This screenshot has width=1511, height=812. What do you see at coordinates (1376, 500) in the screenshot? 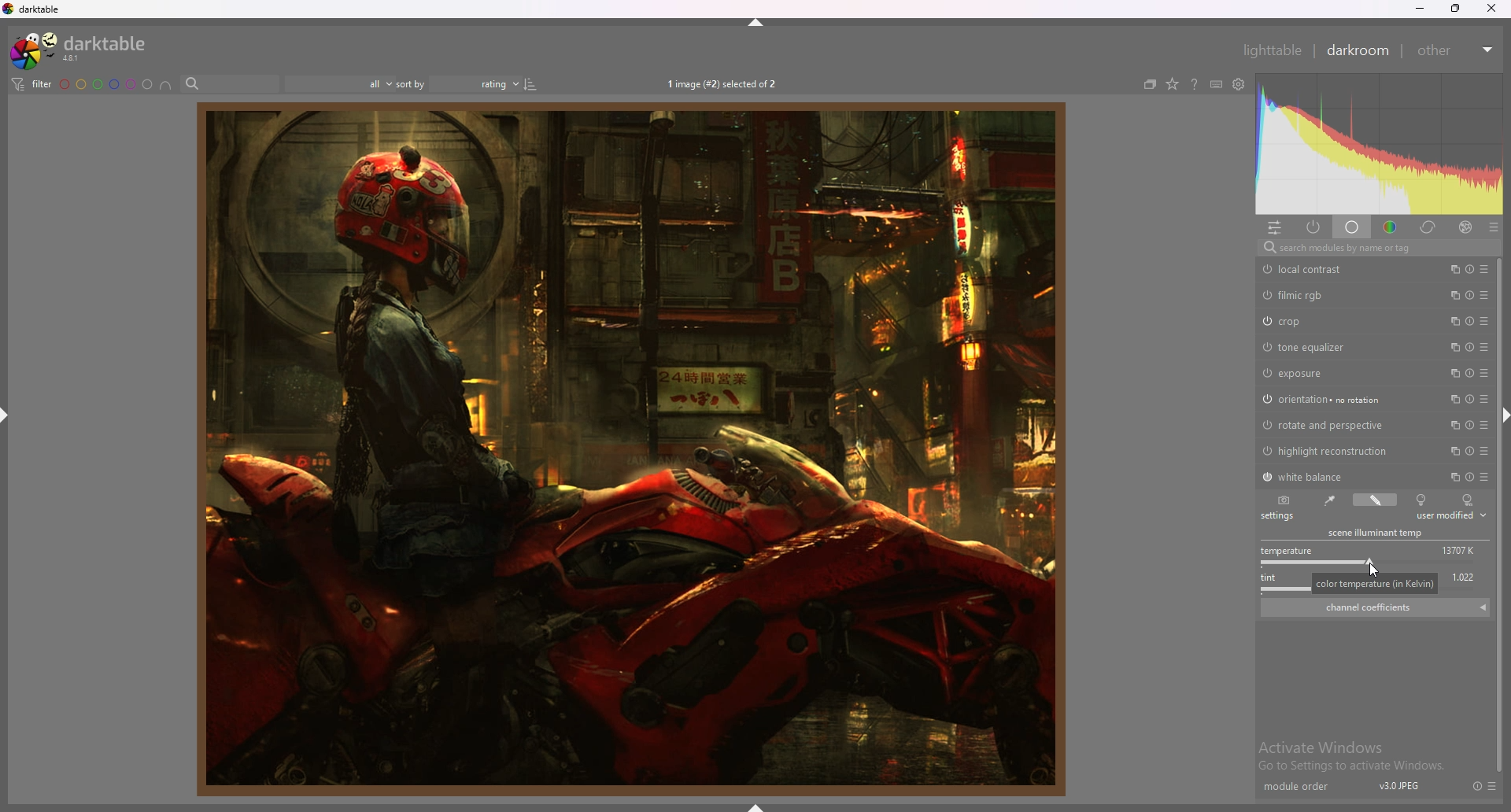
I see `user modified` at bounding box center [1376, 500].